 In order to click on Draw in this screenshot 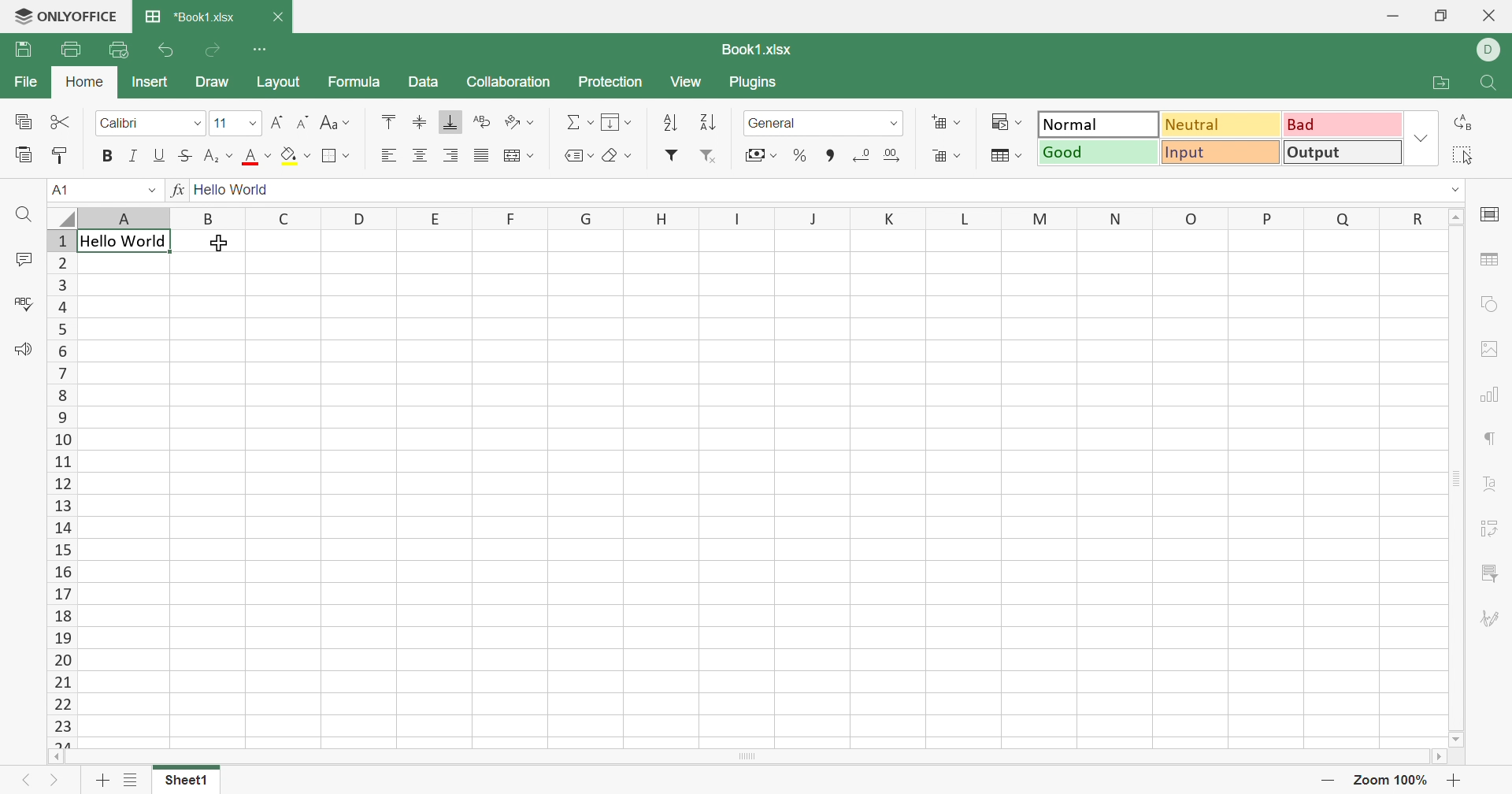, I will do `click(217, 82)`.